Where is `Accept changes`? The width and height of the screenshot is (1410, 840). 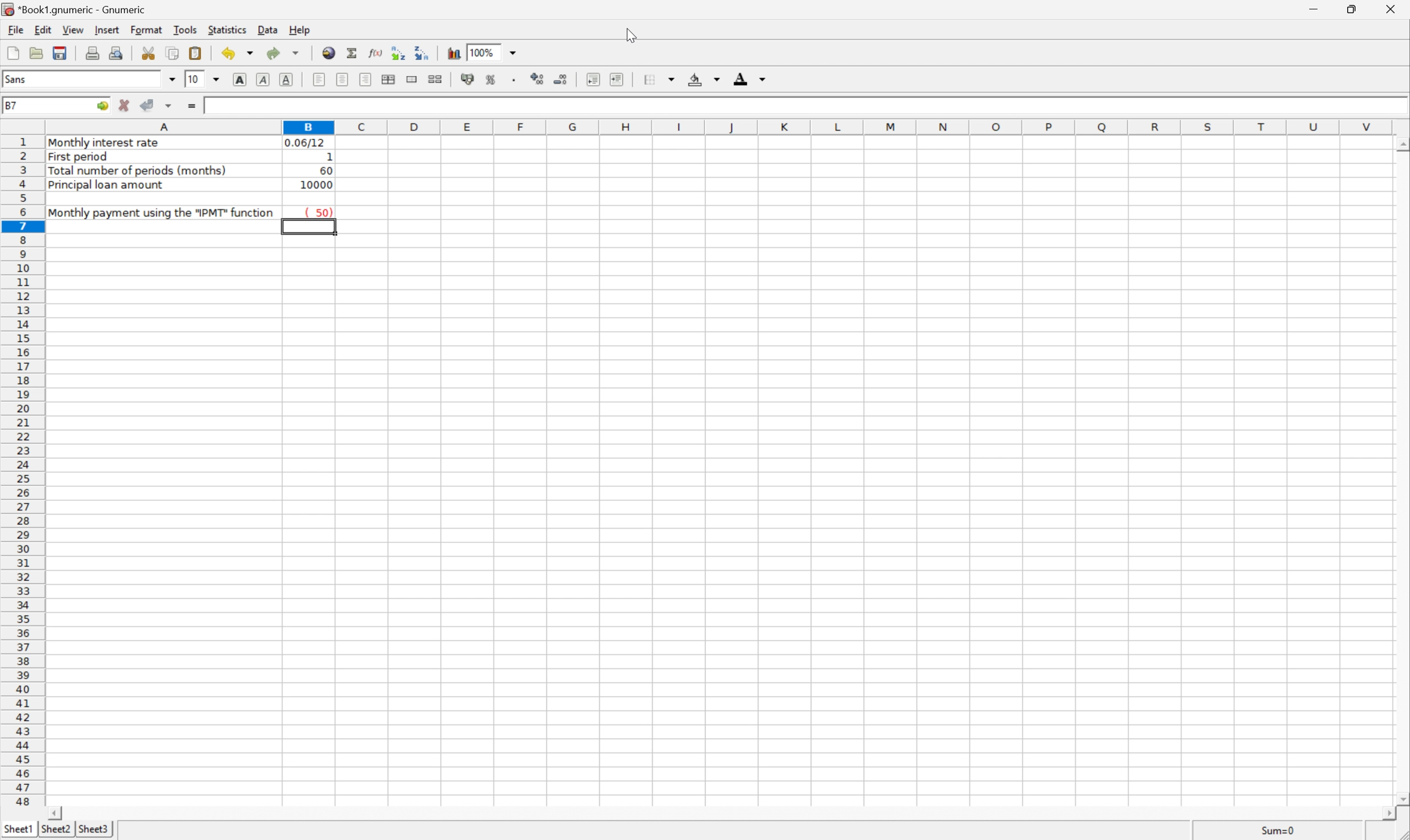 Accept changes is located at coordinates (149, 106).